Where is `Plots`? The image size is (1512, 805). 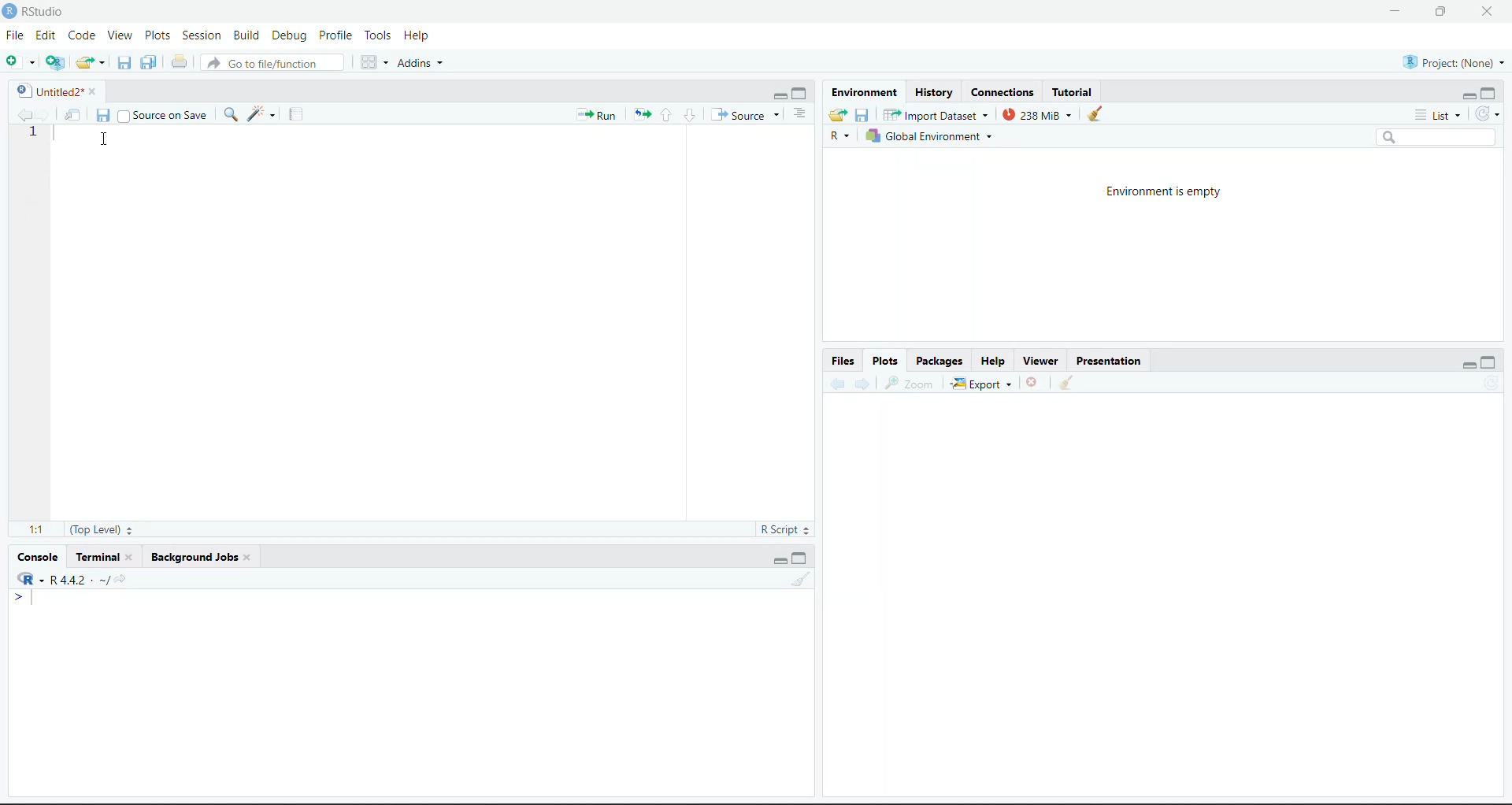
Plots is located at coordinates (157, 35).